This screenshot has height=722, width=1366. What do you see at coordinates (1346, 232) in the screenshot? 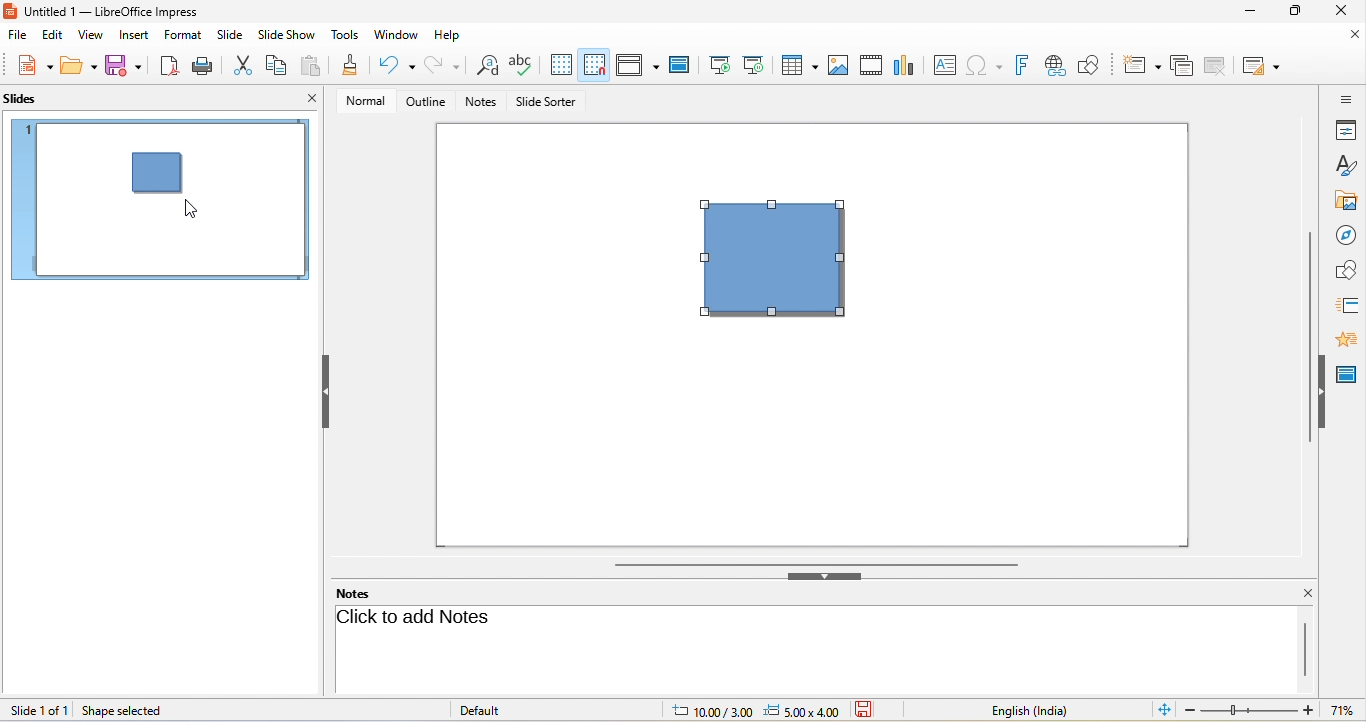
I see `navigator` at bounding box center [1346, 232].